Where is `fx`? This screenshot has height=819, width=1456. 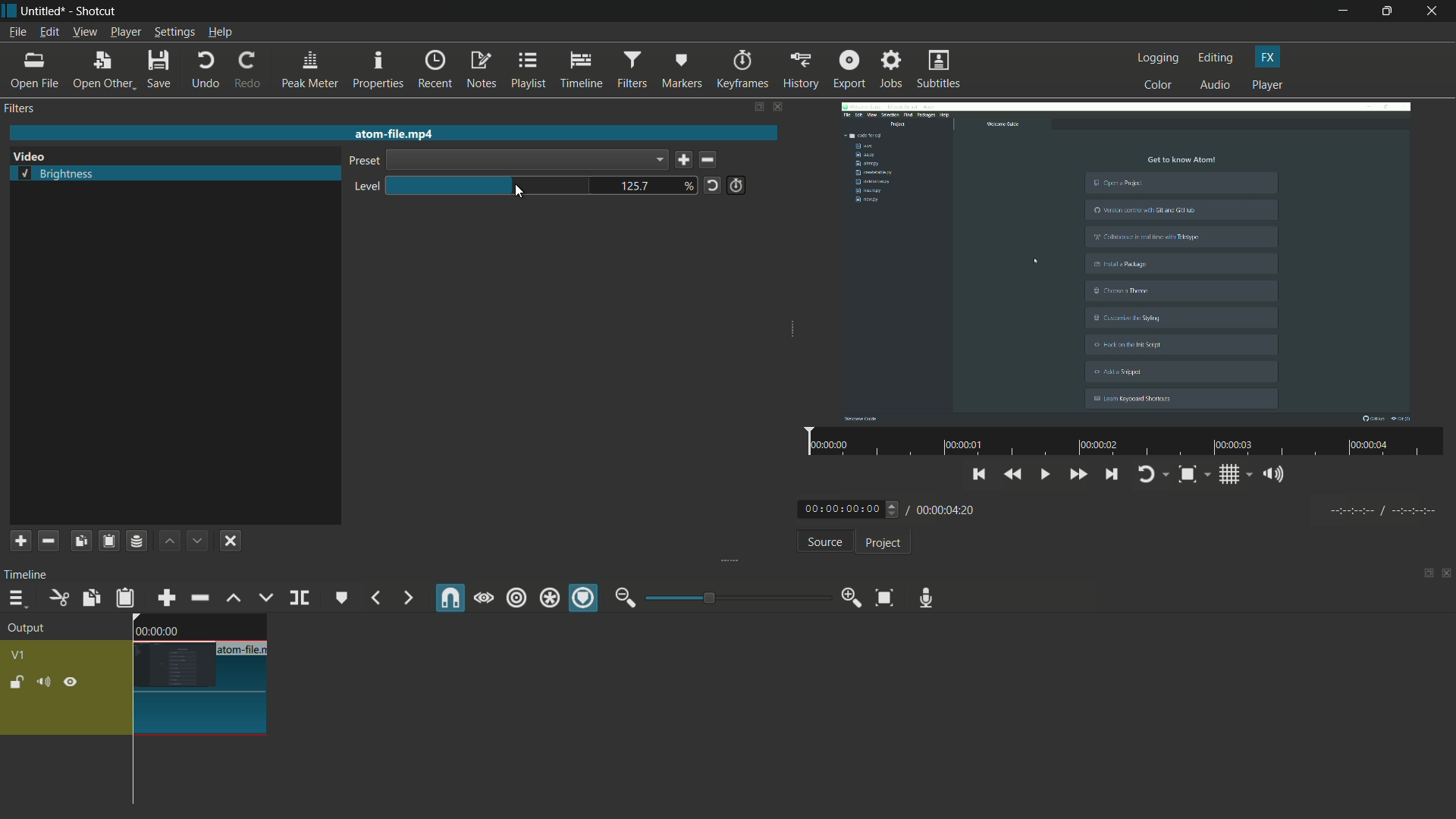 fx is located at coordinates (1268, 57).